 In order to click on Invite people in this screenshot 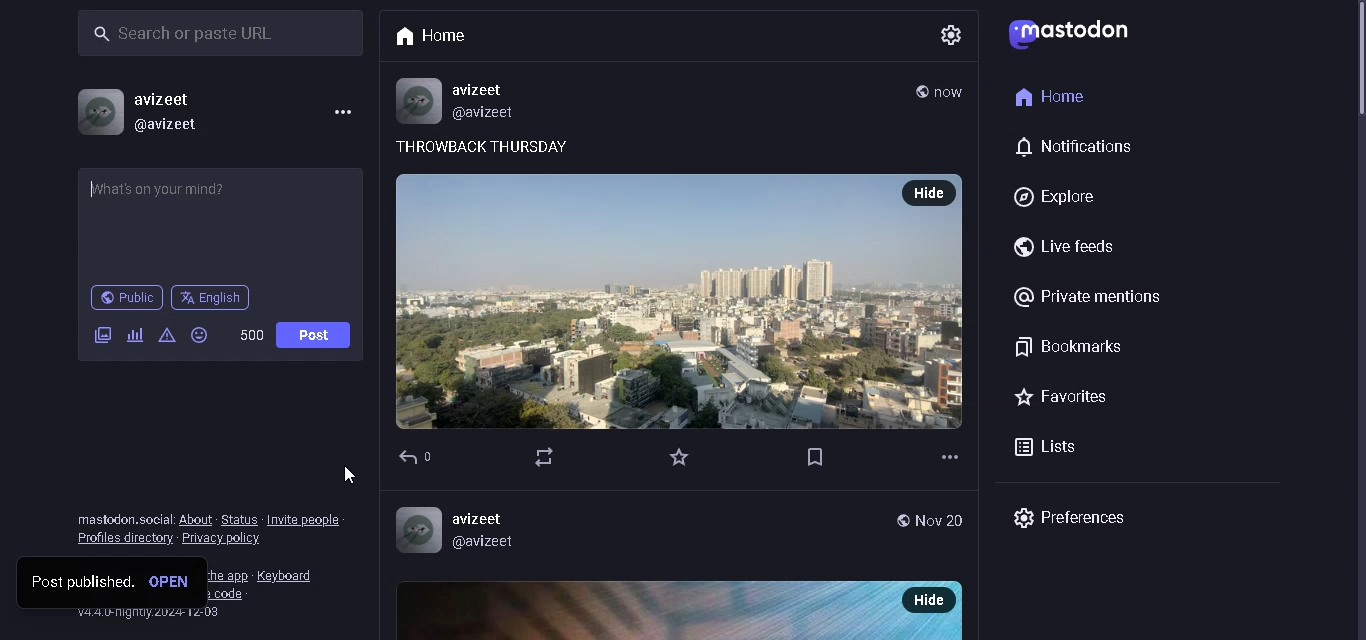, I will do `click(302, 517)`.